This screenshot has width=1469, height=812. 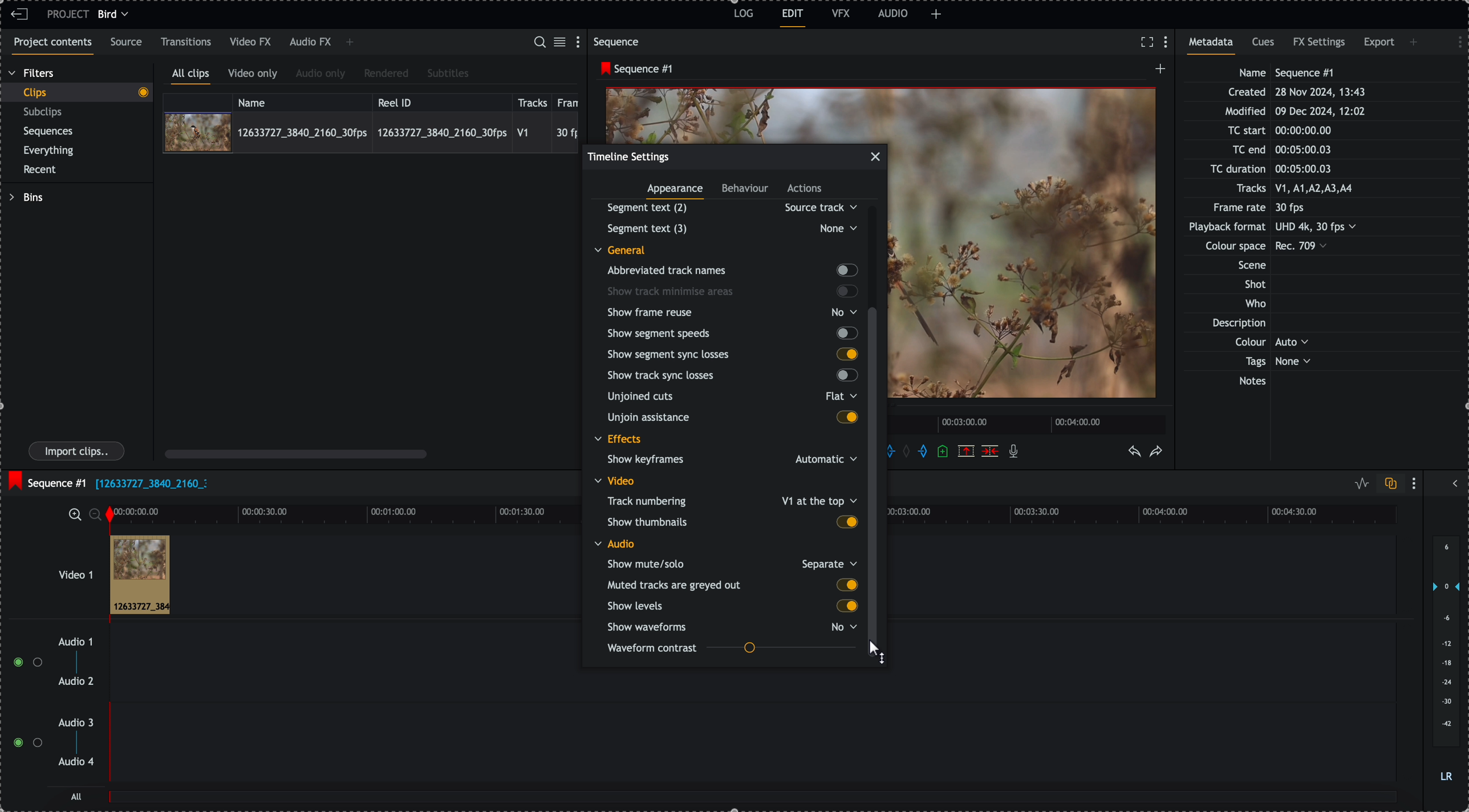 I want to click on audio only, so click(x=321, y=75).